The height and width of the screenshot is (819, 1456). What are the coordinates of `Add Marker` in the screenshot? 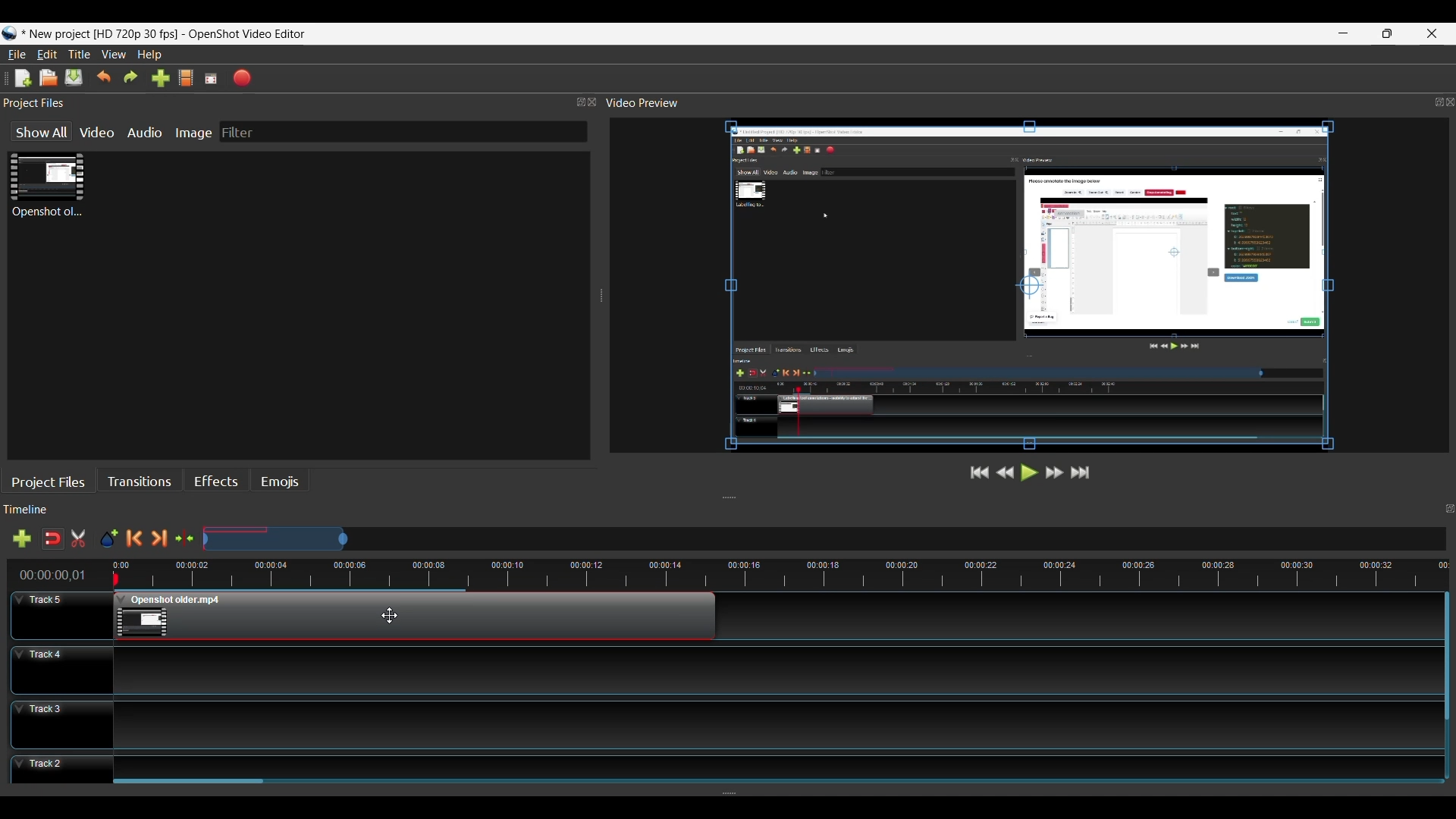 It's located at (108, 540).